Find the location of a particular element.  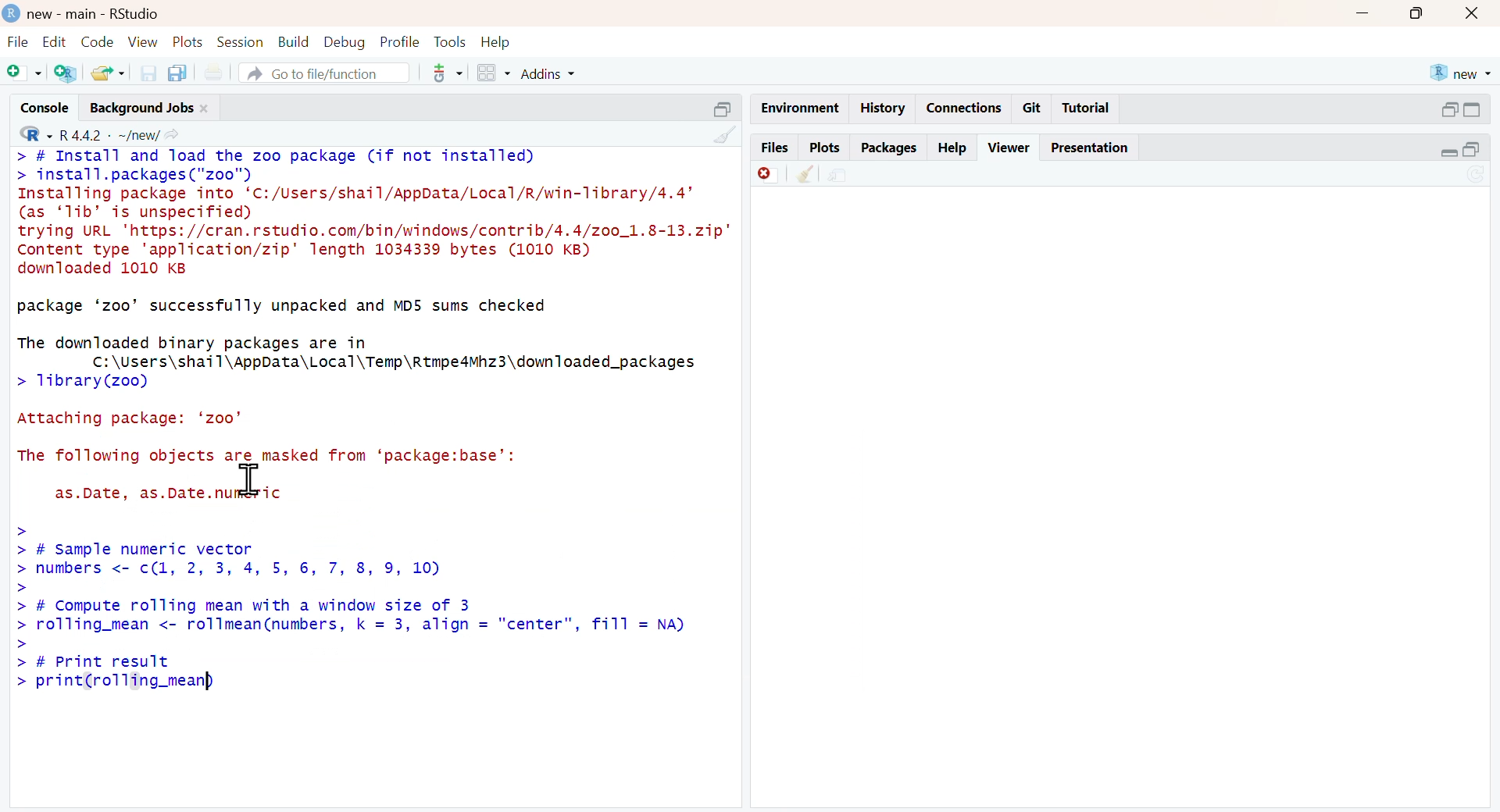

session is located at coordinates (241, 41).